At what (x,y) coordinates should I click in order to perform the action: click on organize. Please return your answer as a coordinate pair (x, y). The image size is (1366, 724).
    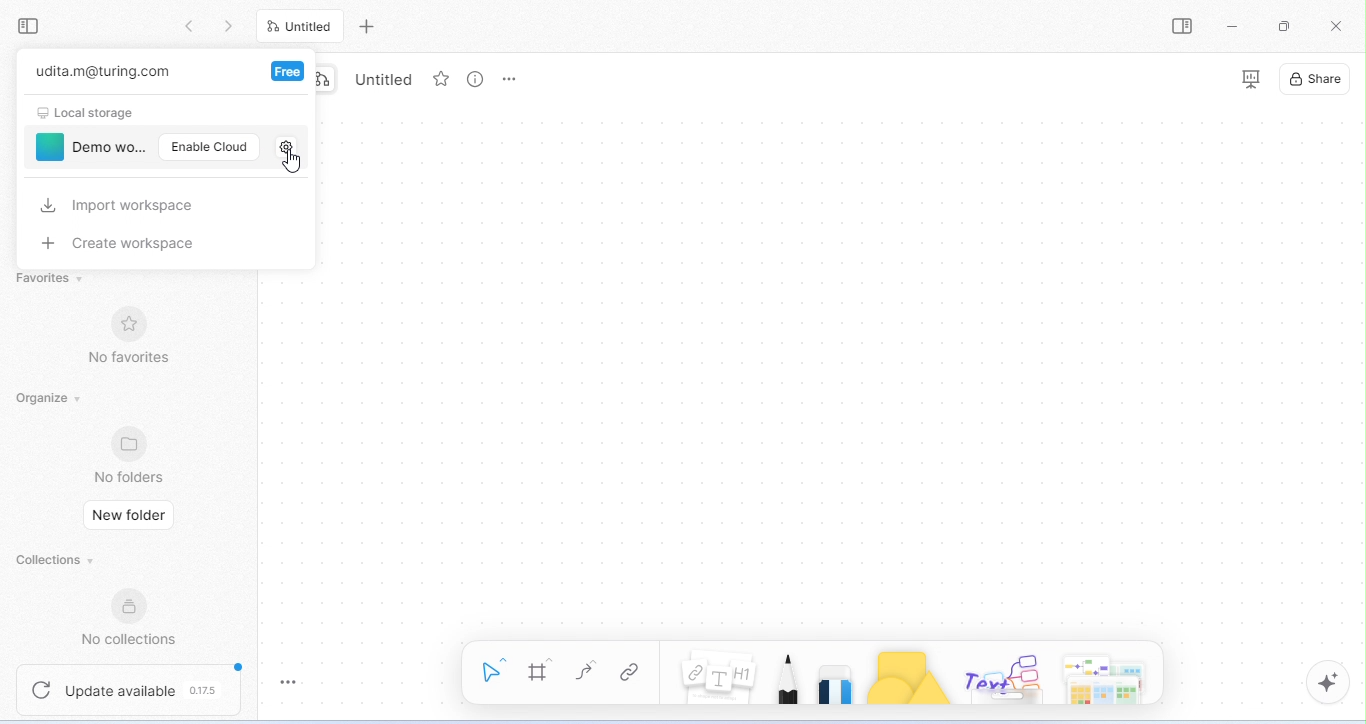
    Looking at the image, I should click on (47, 398).